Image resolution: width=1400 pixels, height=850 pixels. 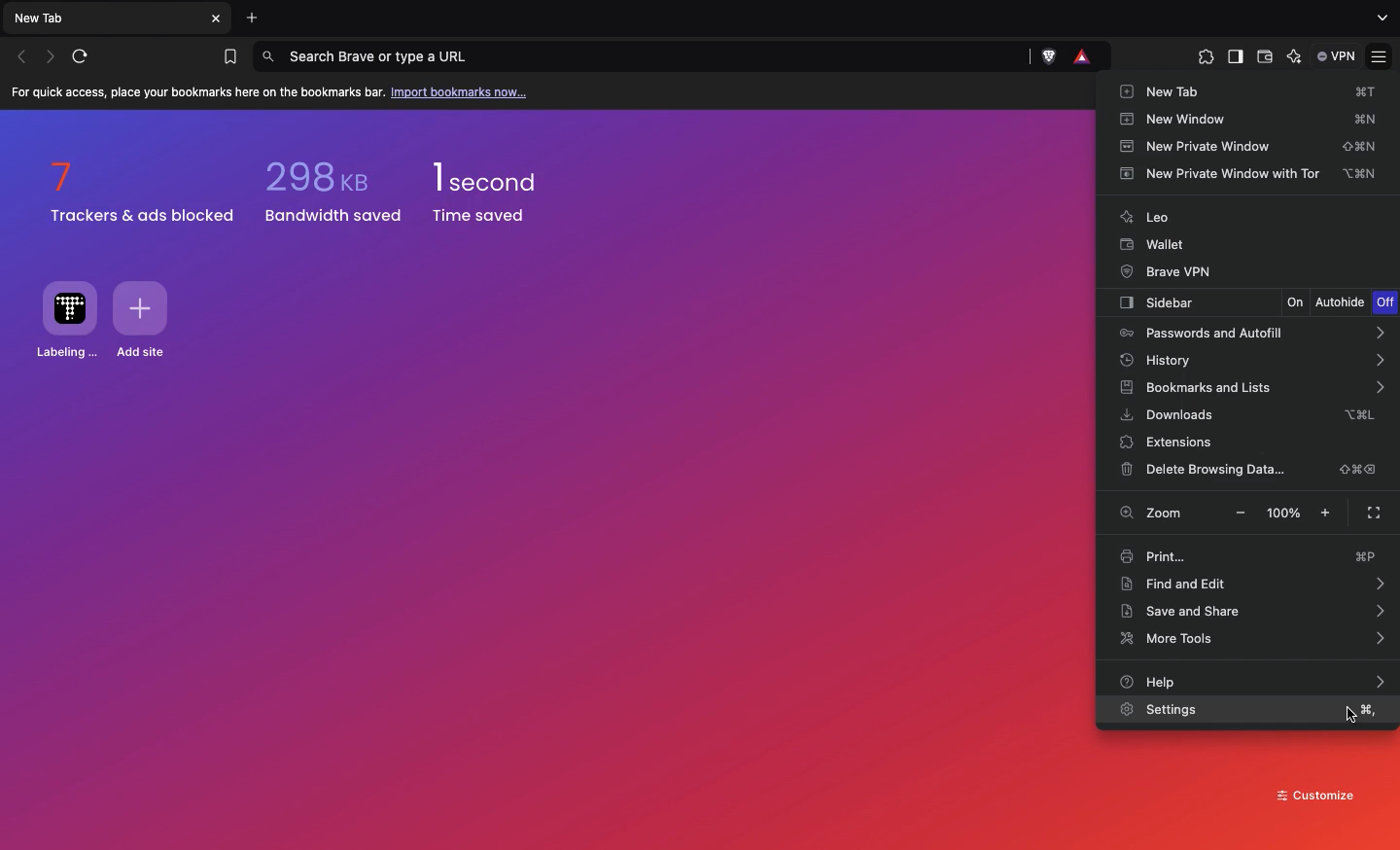 What do you see at coordinates (85, 55) in the screenshot?
I see `Reload this page` at bounding box center [85, 55].